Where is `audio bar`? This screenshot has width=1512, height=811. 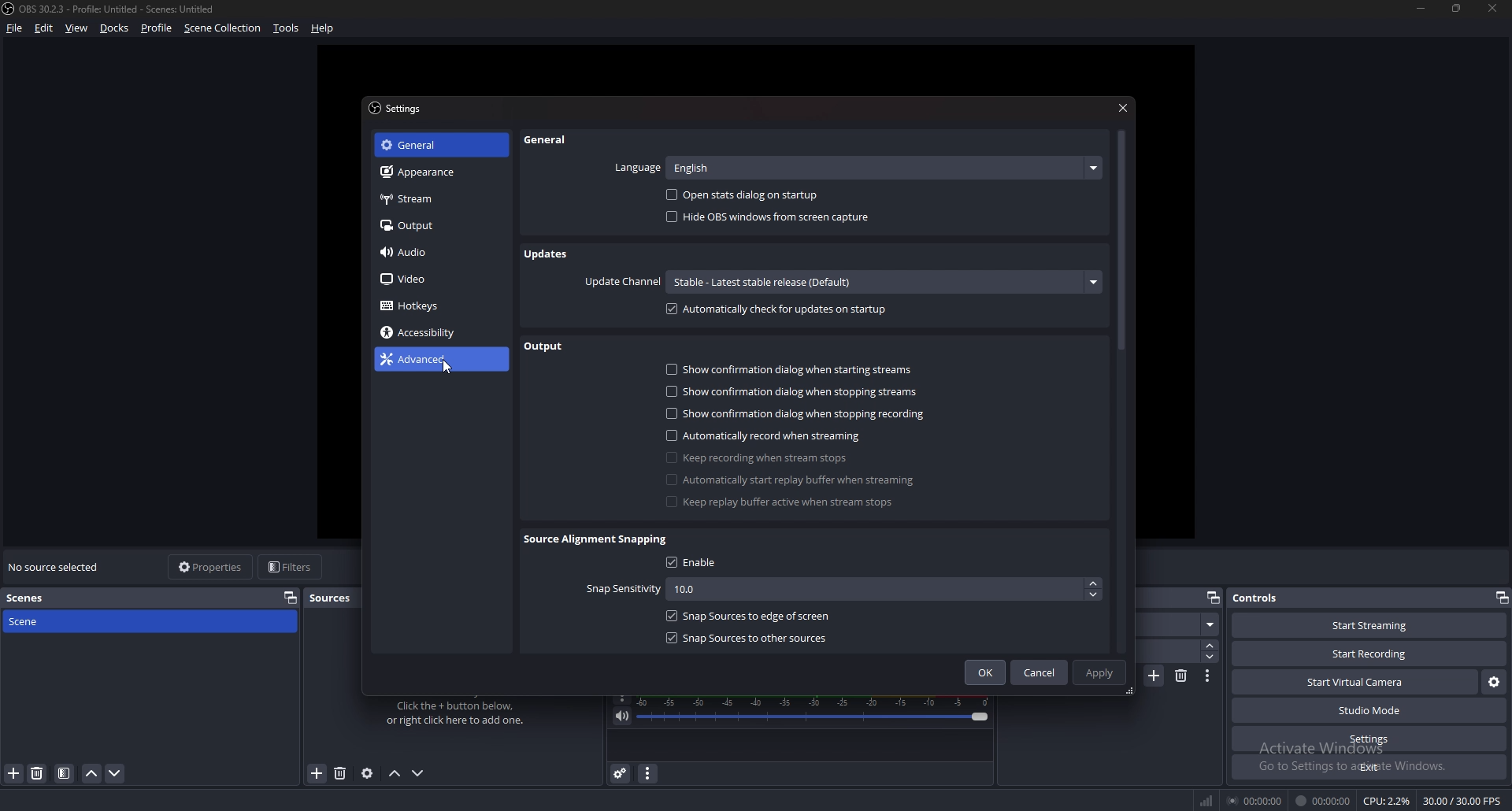
audio bar is located at coordinates (815, 709).